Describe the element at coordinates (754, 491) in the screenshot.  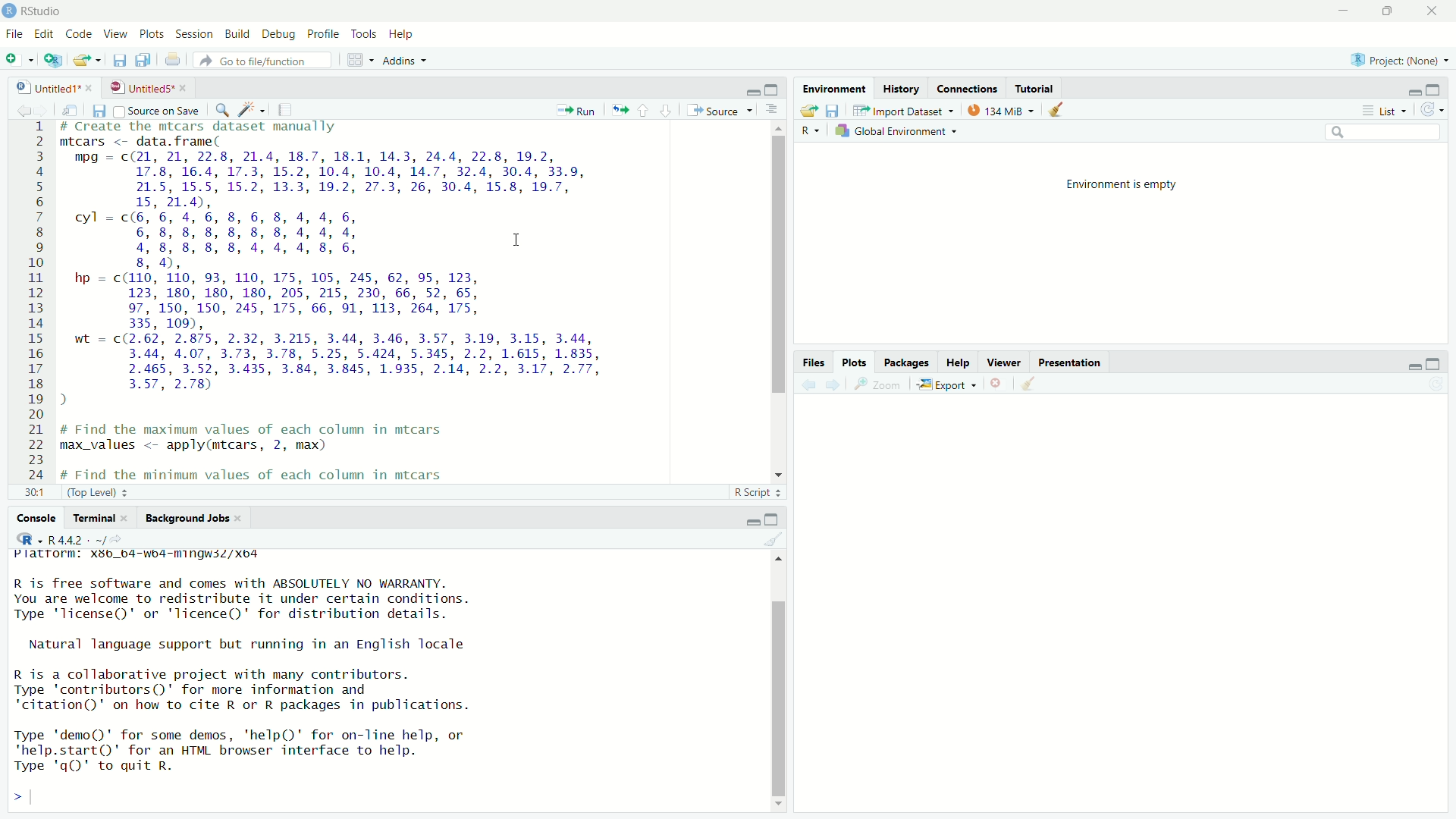
I see `R Script ` at that location.